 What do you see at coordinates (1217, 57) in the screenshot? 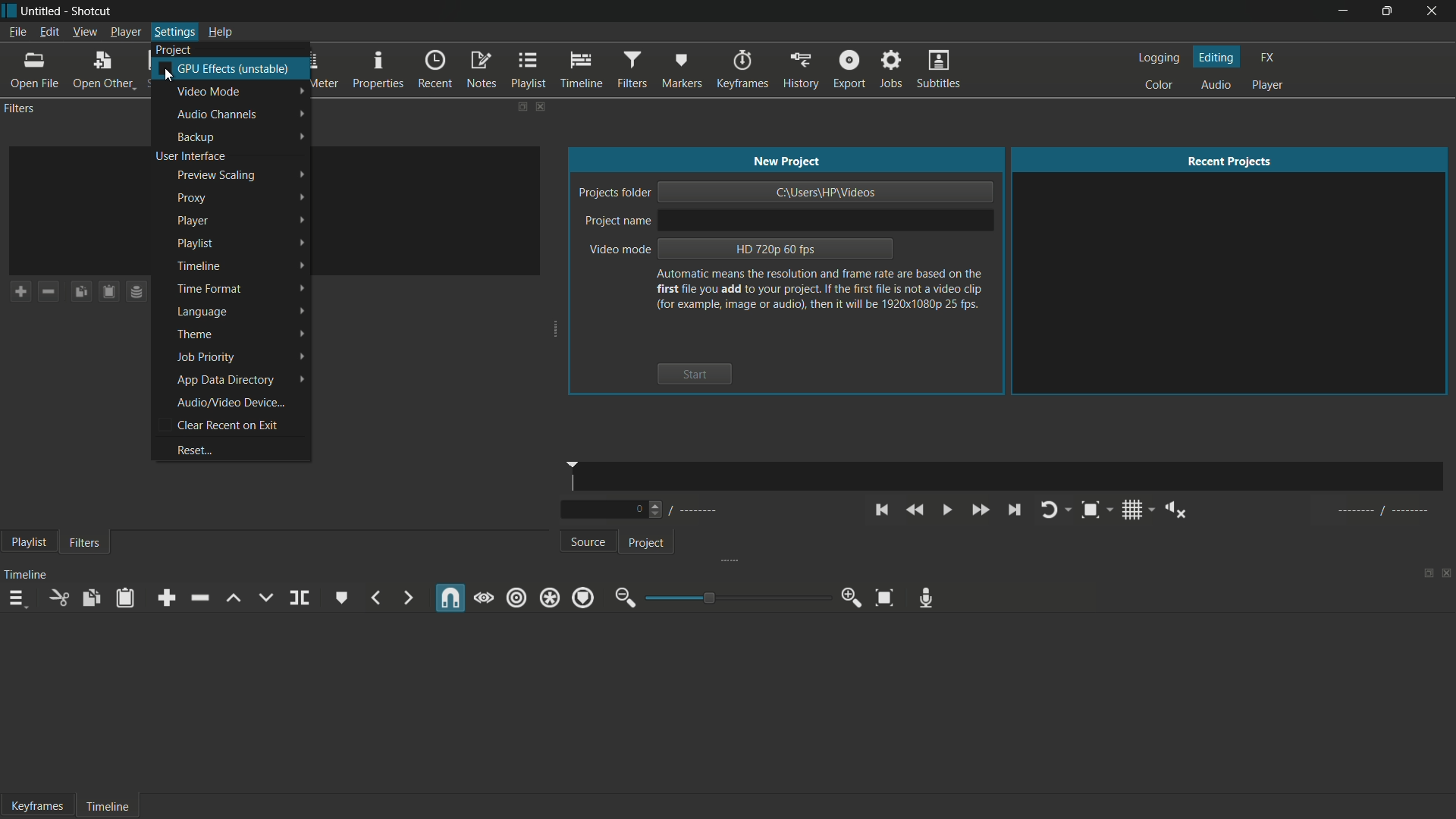
I see `editing` at bounding box center [1217, 57].